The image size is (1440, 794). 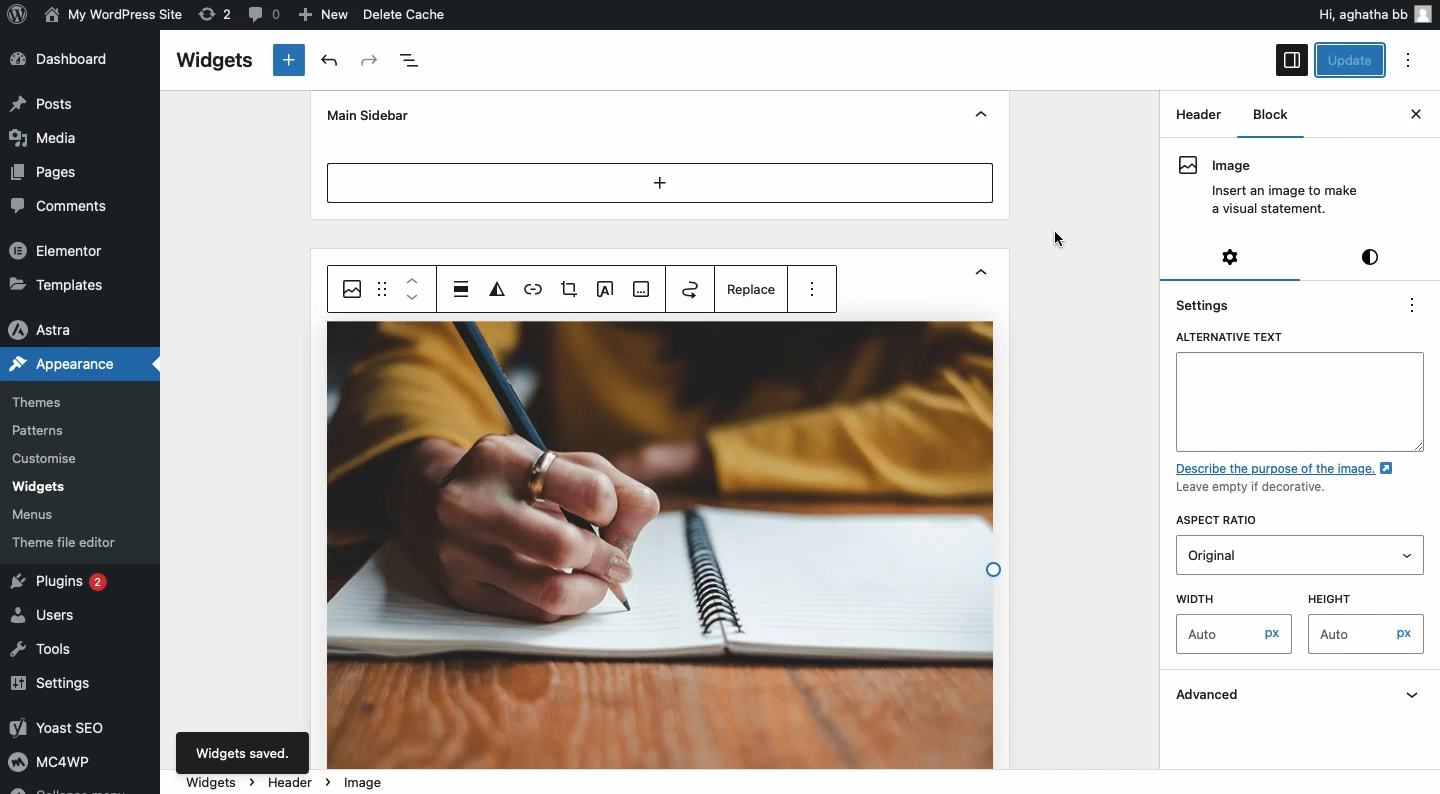 I want to click on Tools, so click(x=43, y=651).